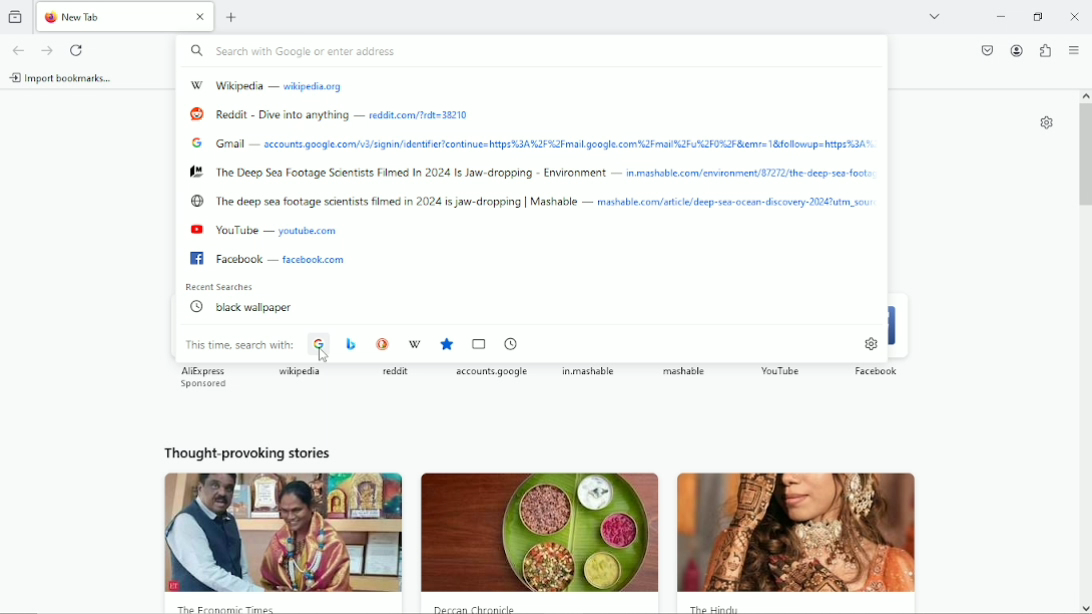  I want to click on youtube logo, so click(194, 230).